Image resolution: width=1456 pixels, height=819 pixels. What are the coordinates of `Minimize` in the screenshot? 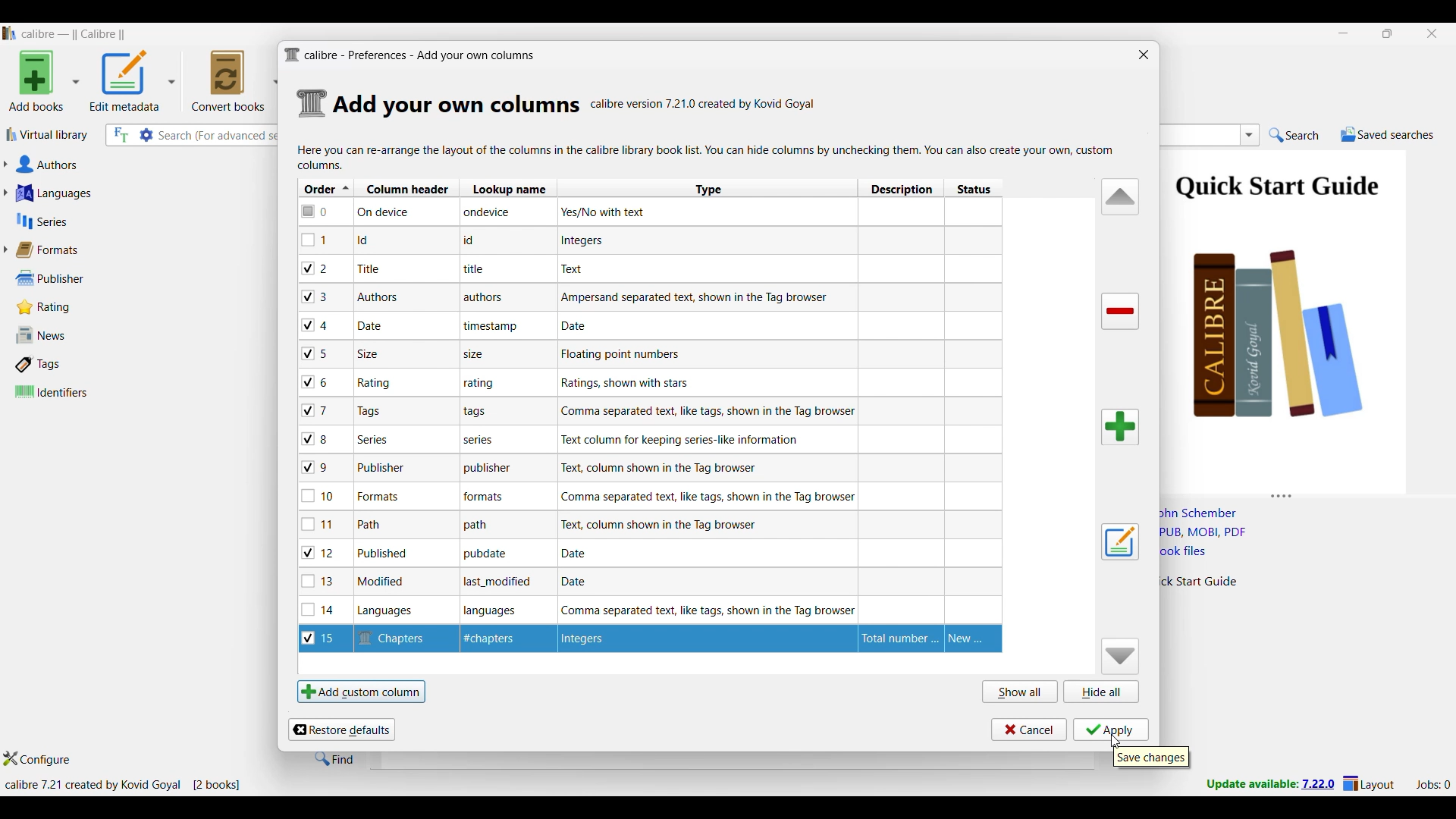 It's located at (1344, 33).